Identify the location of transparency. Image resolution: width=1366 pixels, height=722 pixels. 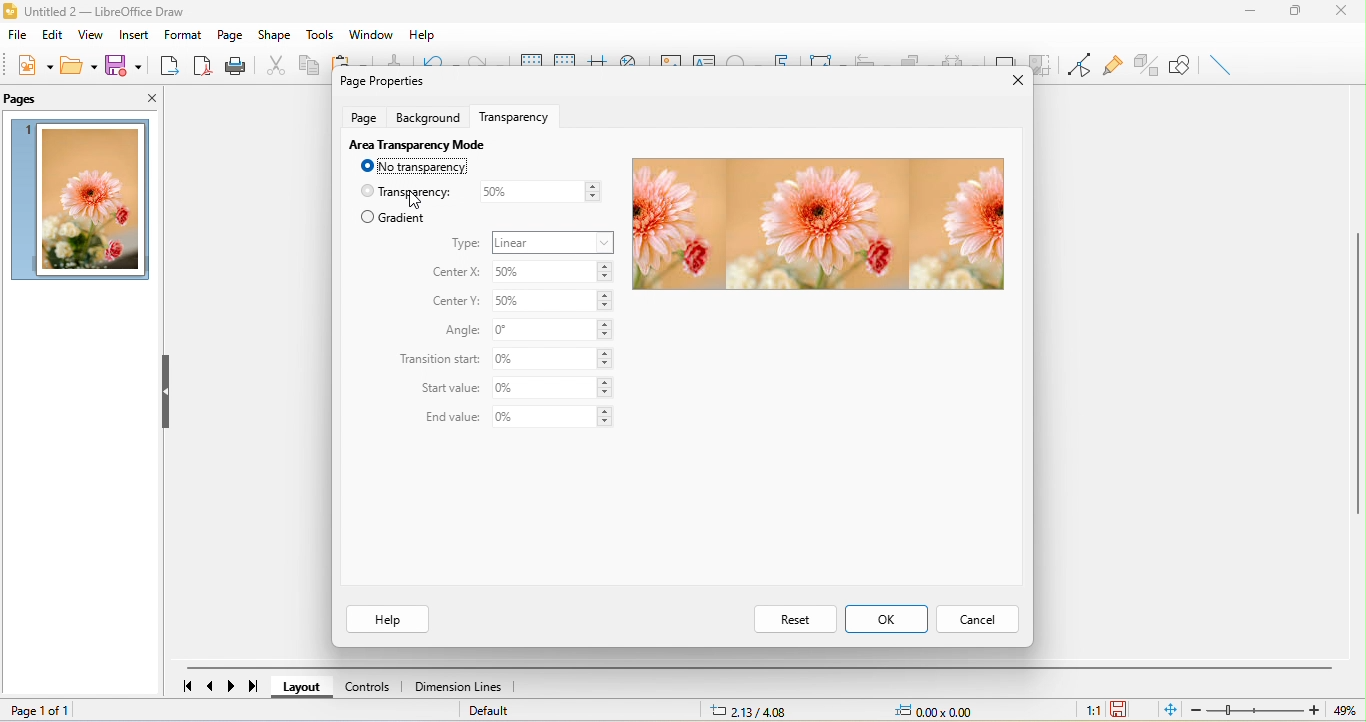
(407, 192).